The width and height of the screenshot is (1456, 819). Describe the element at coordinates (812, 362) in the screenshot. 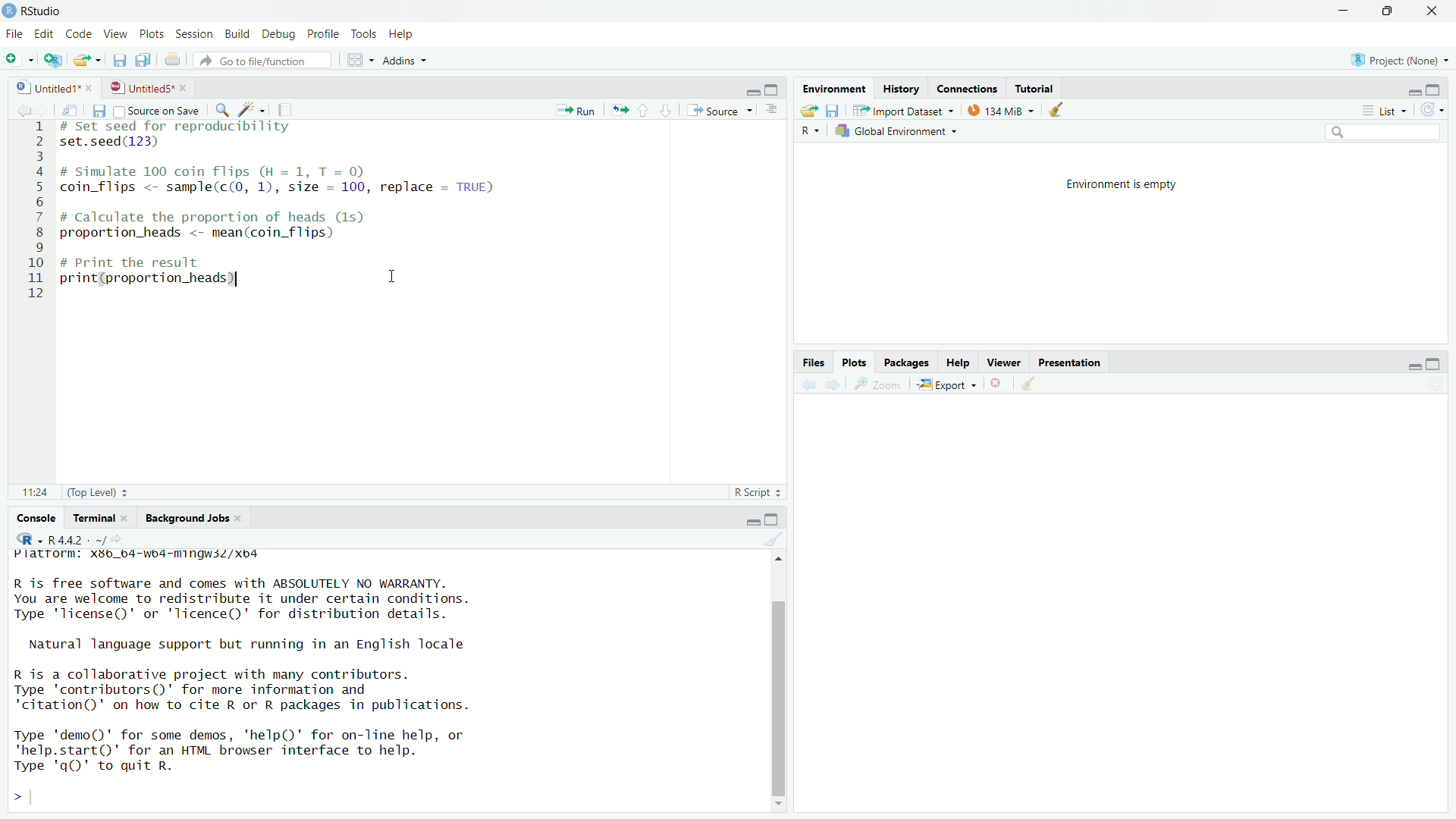

I see `Files` at that location.